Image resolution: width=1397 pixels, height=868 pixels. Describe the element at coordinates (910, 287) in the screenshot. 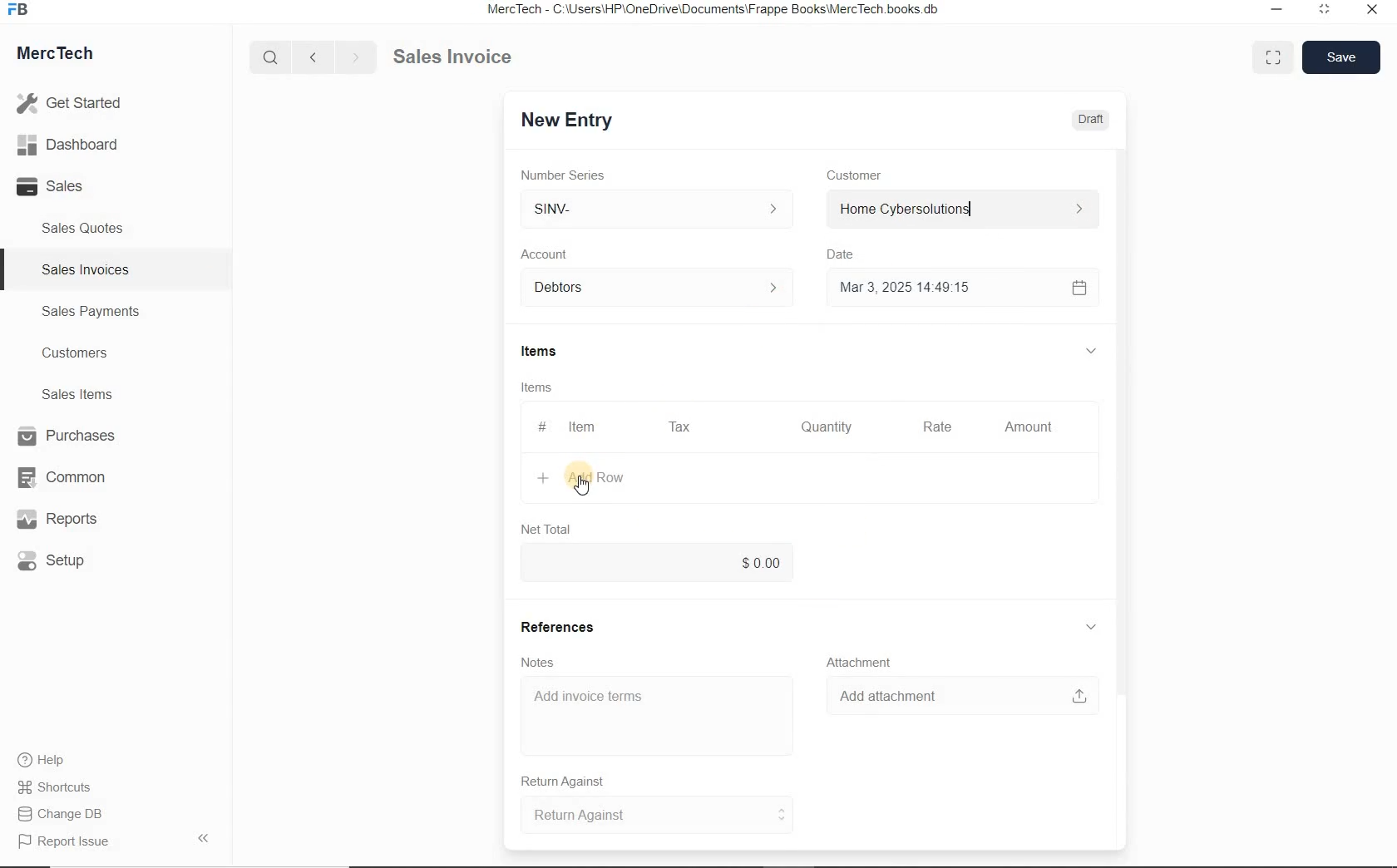

I see `Mar 3, 2025 14:49:15` at that location.